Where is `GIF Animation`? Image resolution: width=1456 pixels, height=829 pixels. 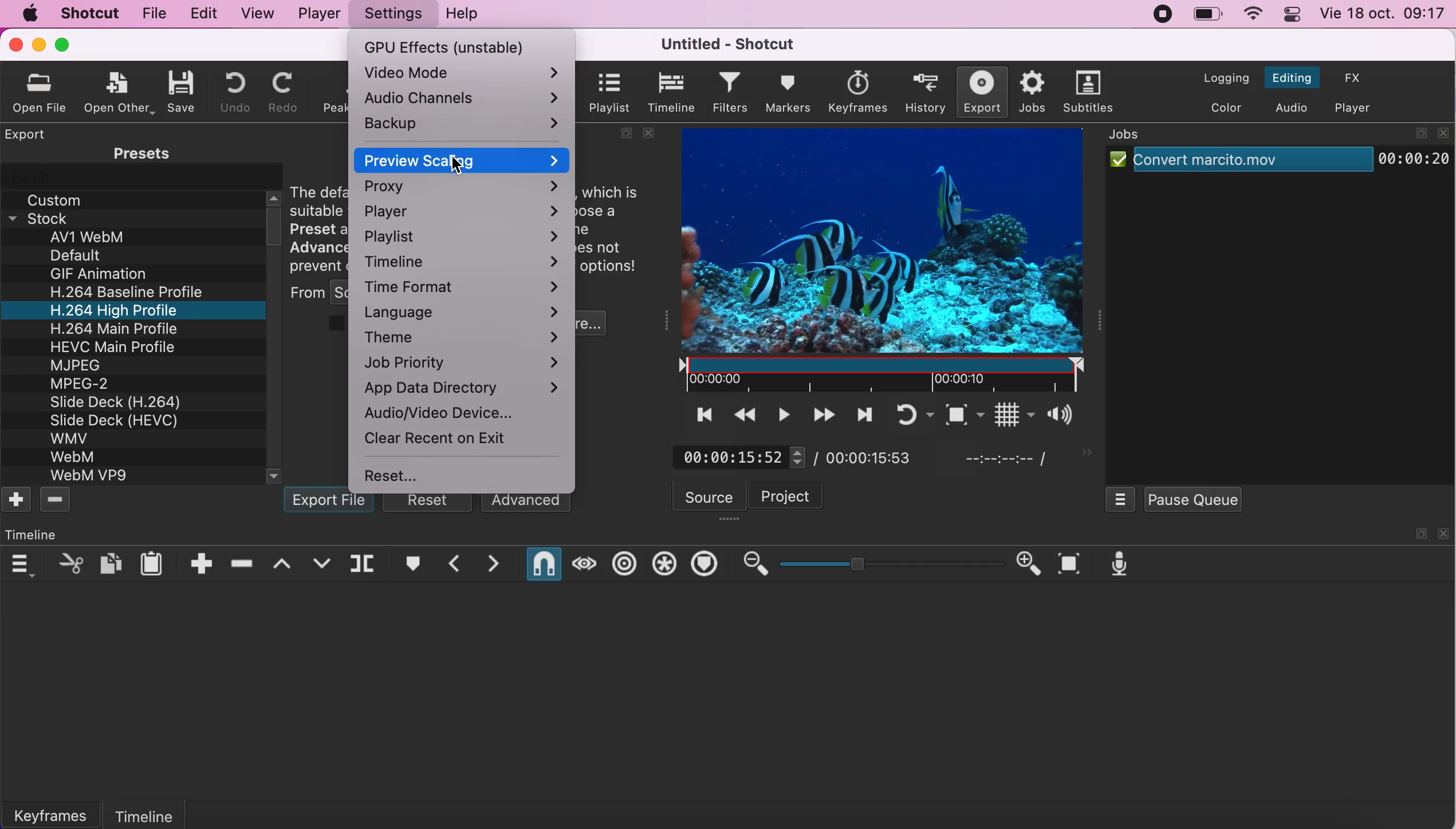 GIF Animation is located at coordinates (97, 272).